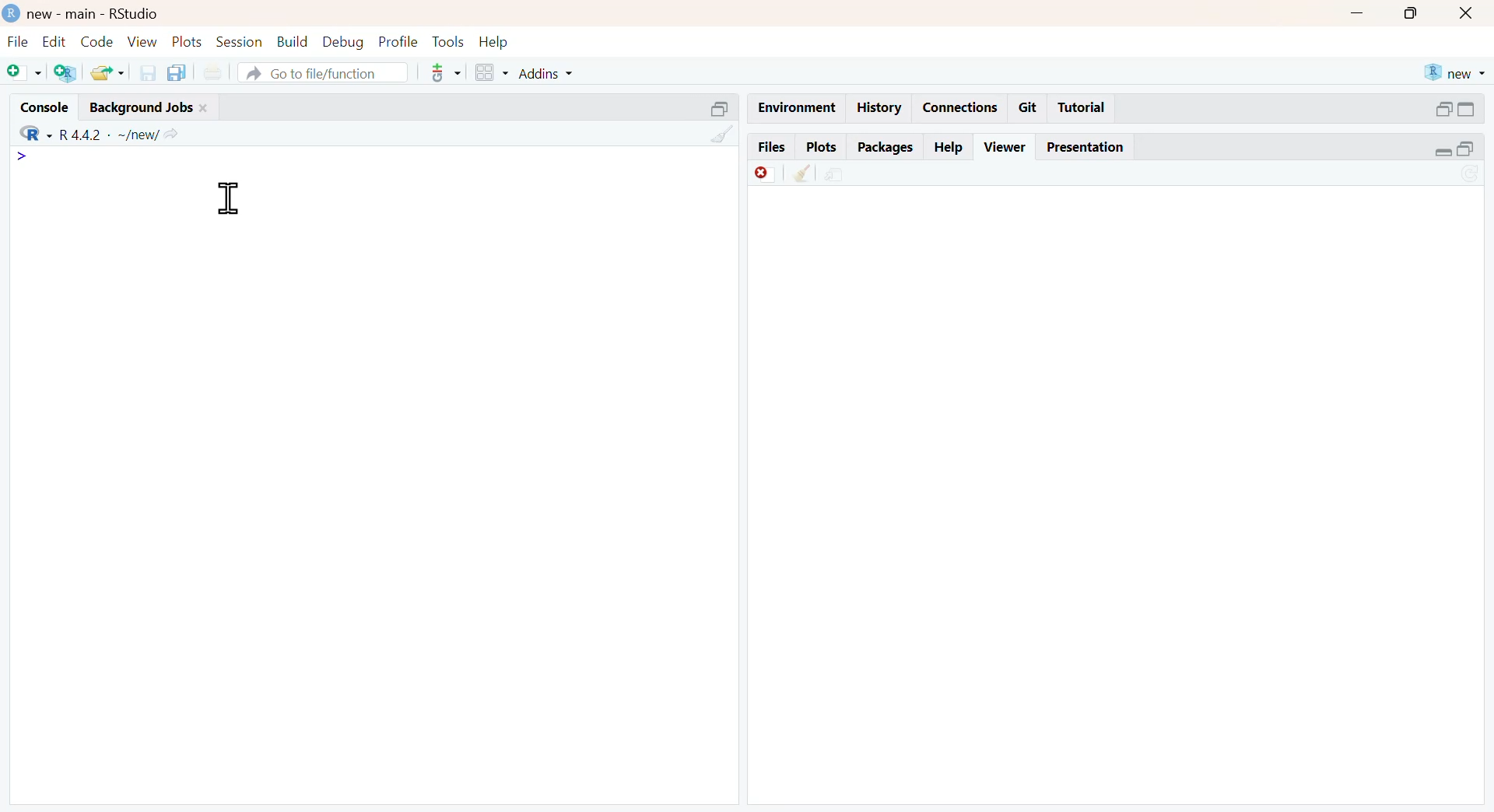 This screenshot has width=1494, height=812. I want to click on minimise, so click(1357, 14).